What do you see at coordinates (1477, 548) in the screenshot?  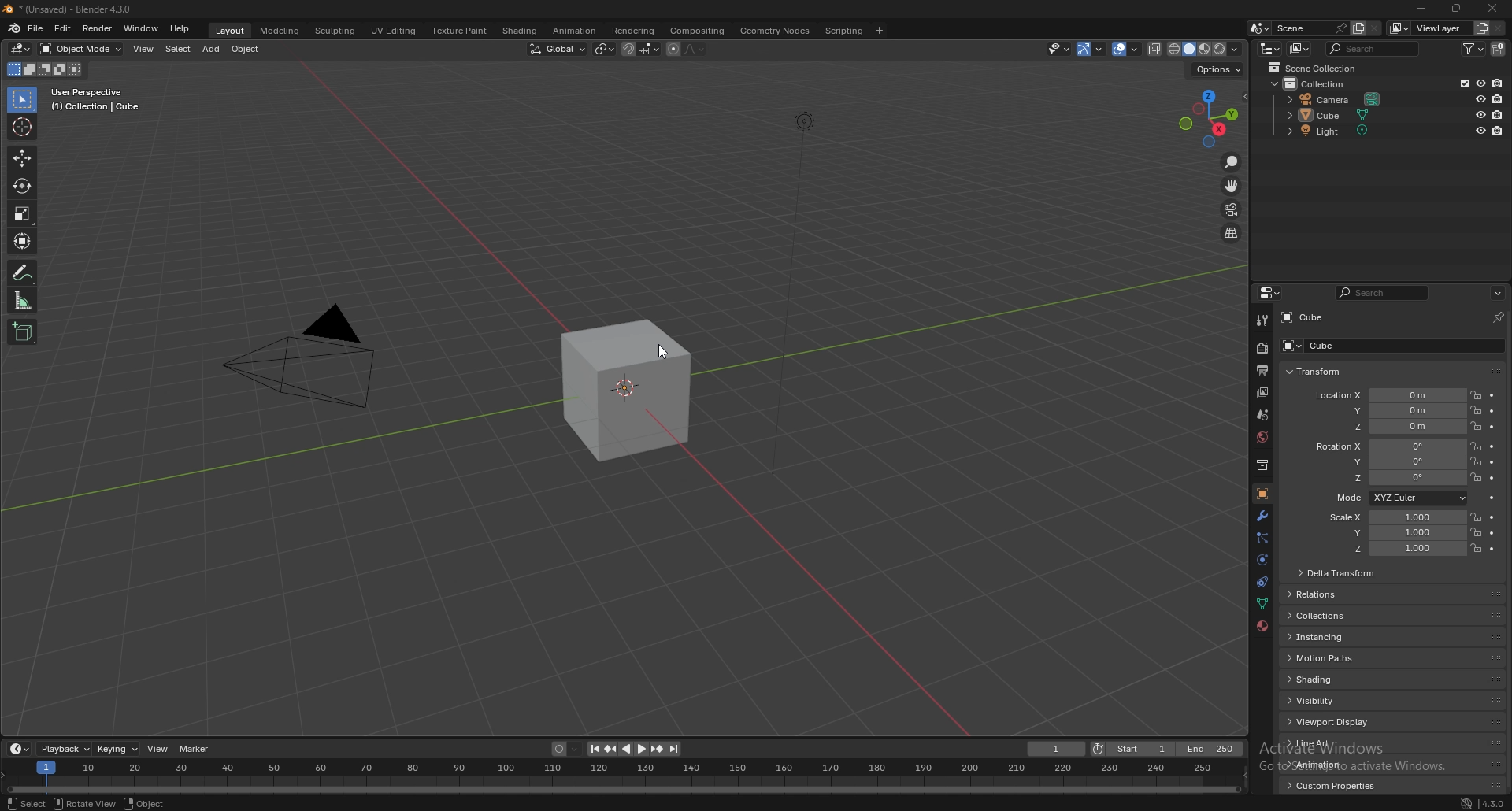 I see `lock` at bounding box center [1477, 548].